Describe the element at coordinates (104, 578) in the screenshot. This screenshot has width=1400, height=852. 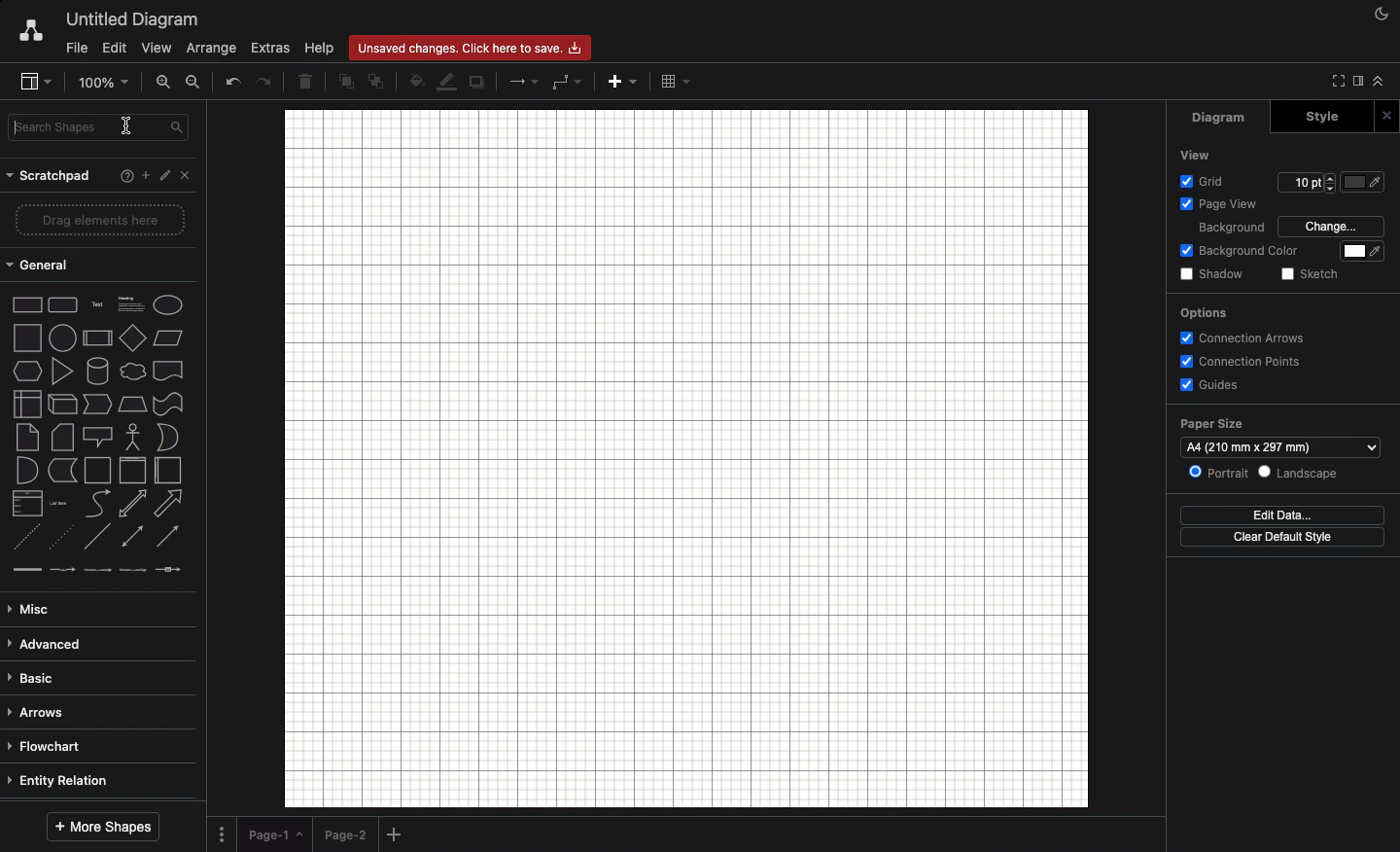
I see `line types` at that location.